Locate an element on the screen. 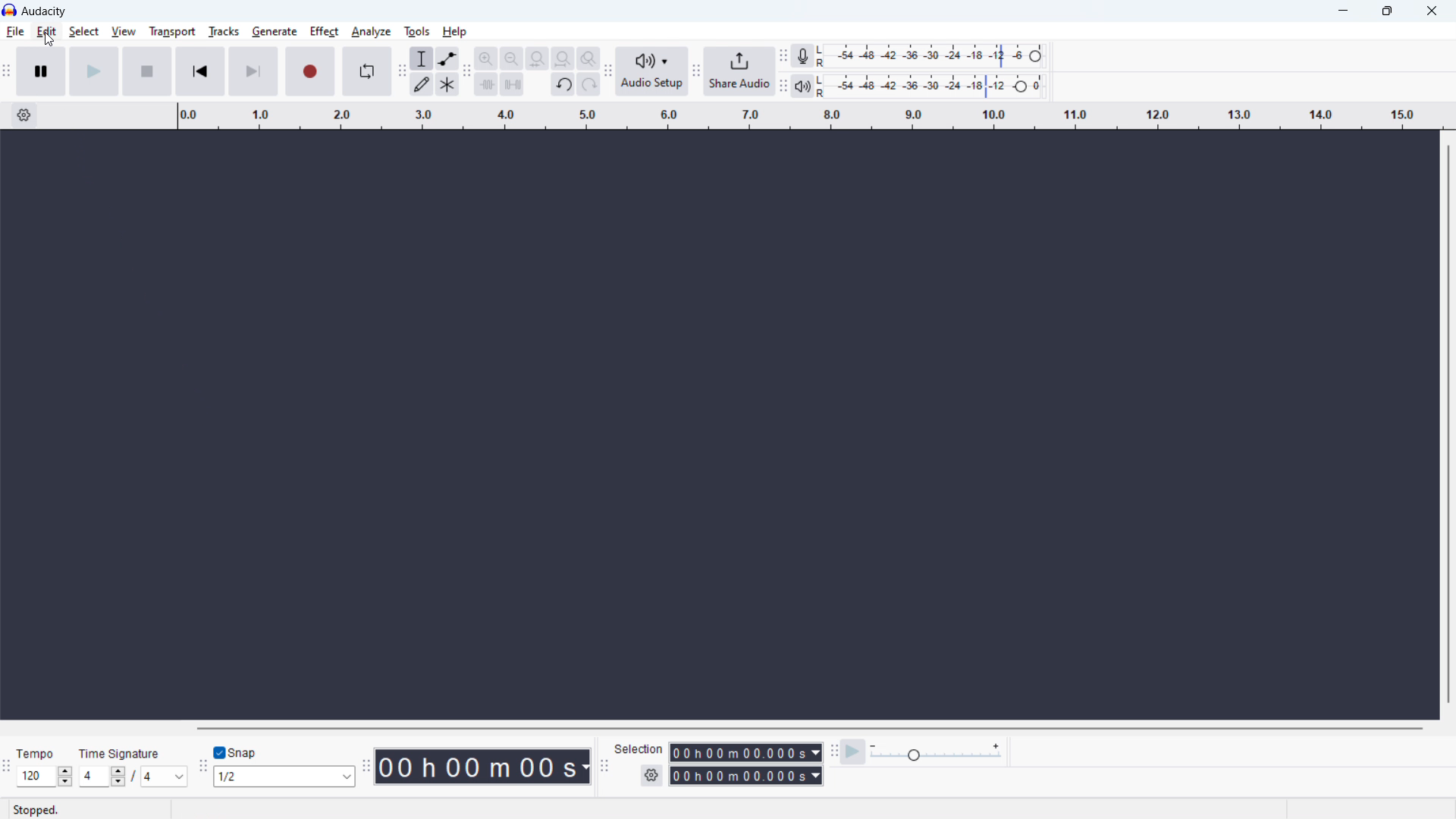  skip to start is located at coordinates (199, 71).